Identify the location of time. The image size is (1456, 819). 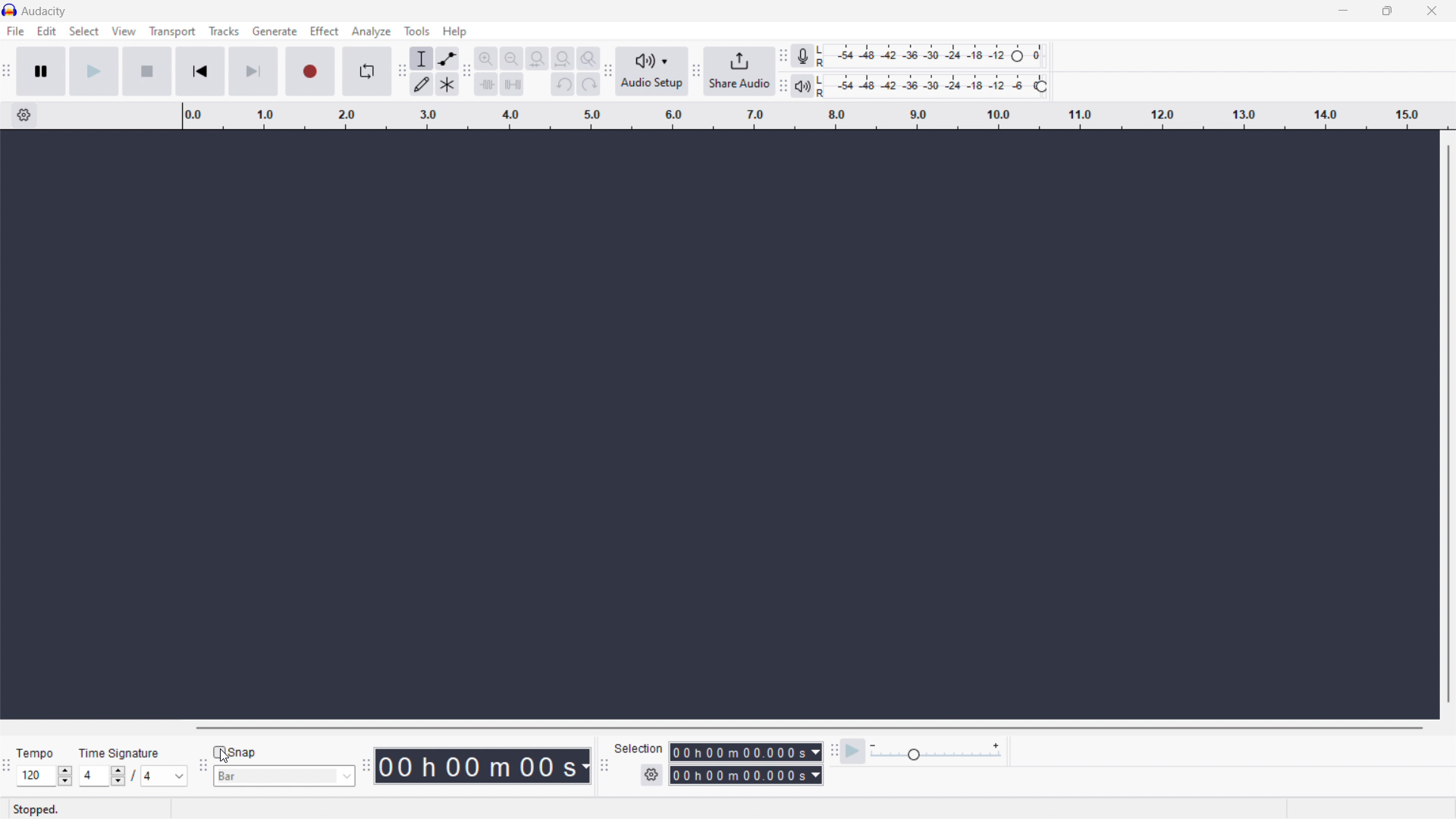
(482, 766).